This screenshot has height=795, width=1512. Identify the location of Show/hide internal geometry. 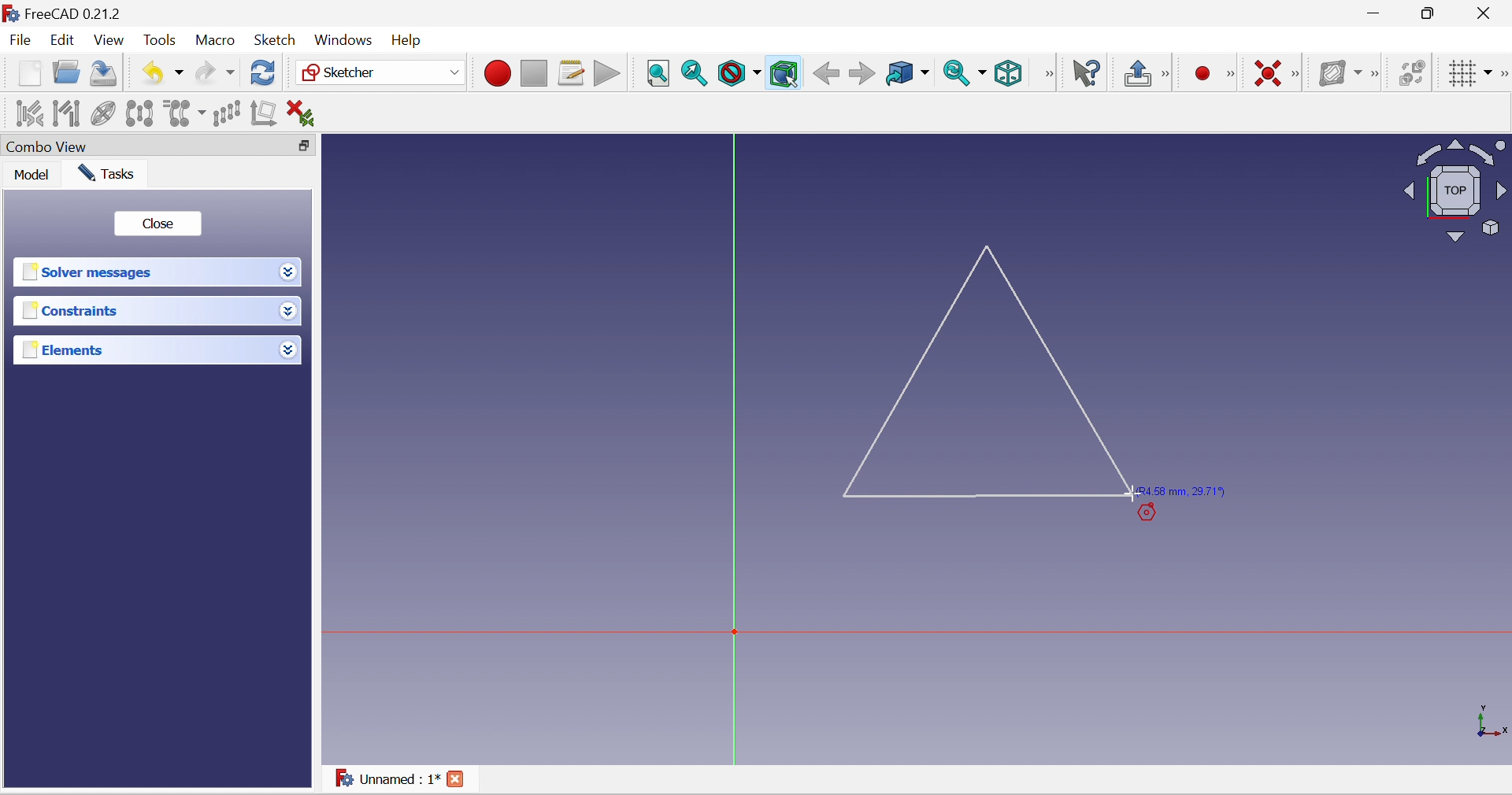
(105, 112).